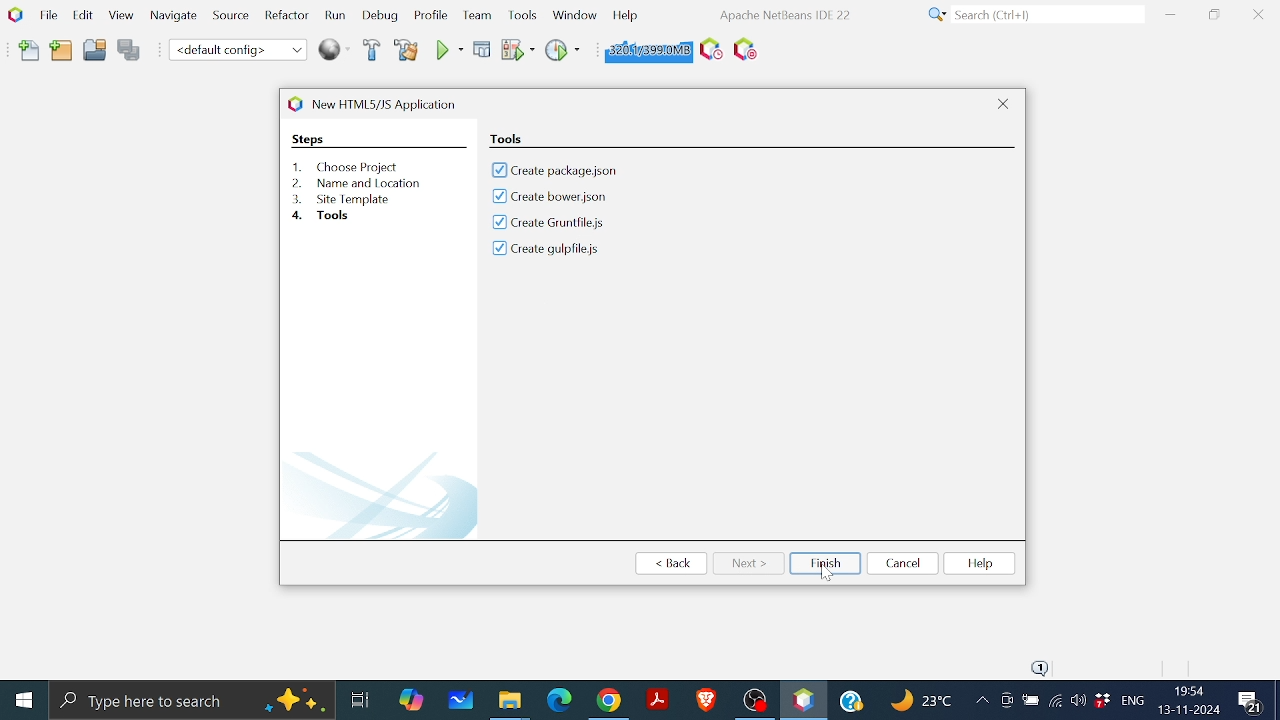 The image size is (1280, 720). What do you see at coordinates (524, 14) in the screenshot?
I see `Tools` at bounding box center [524, 14].